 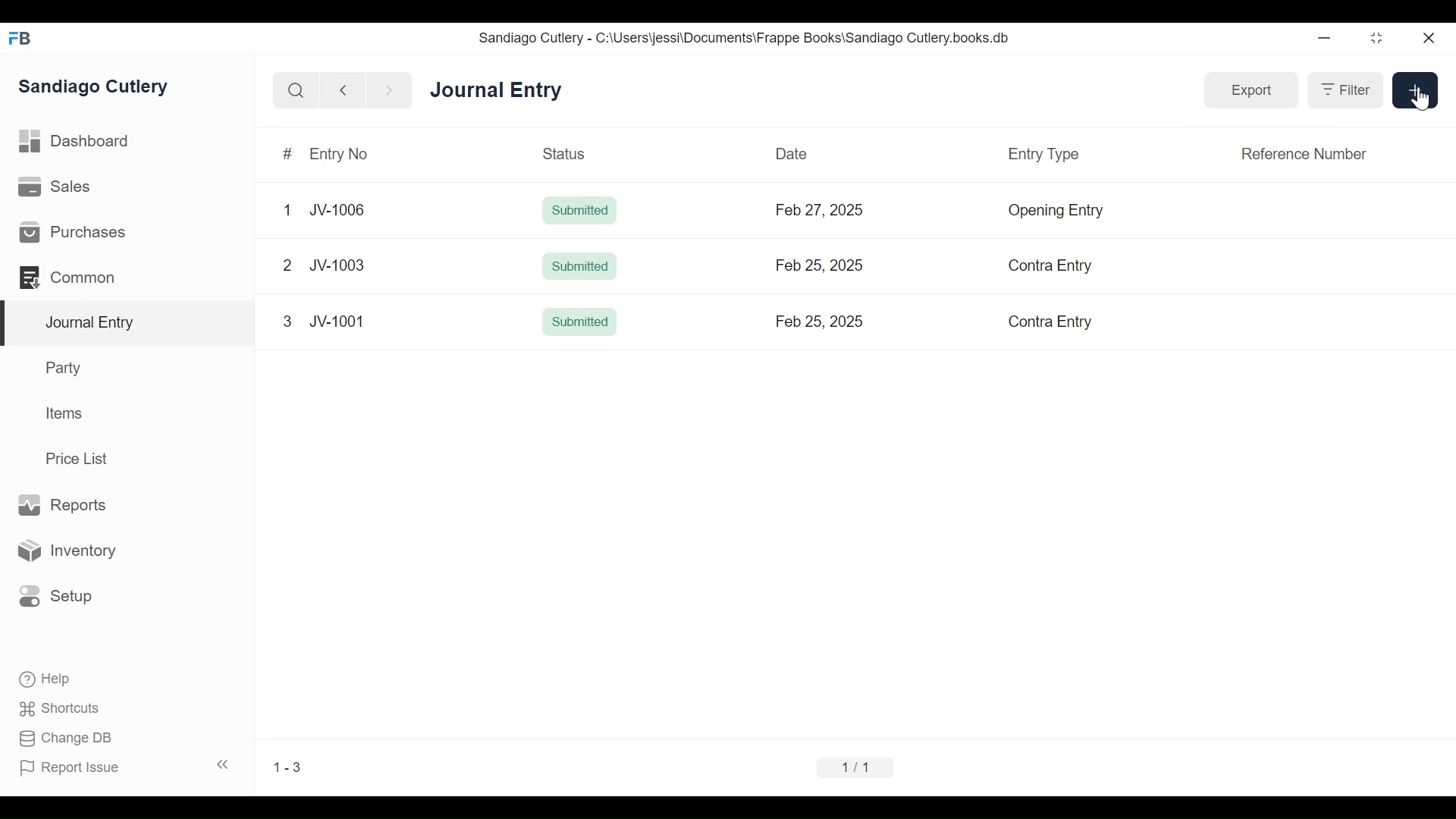 What do you see at coordinates (293, 88) in the screenshot?
I see `search ` at bounding box center [293, 88].